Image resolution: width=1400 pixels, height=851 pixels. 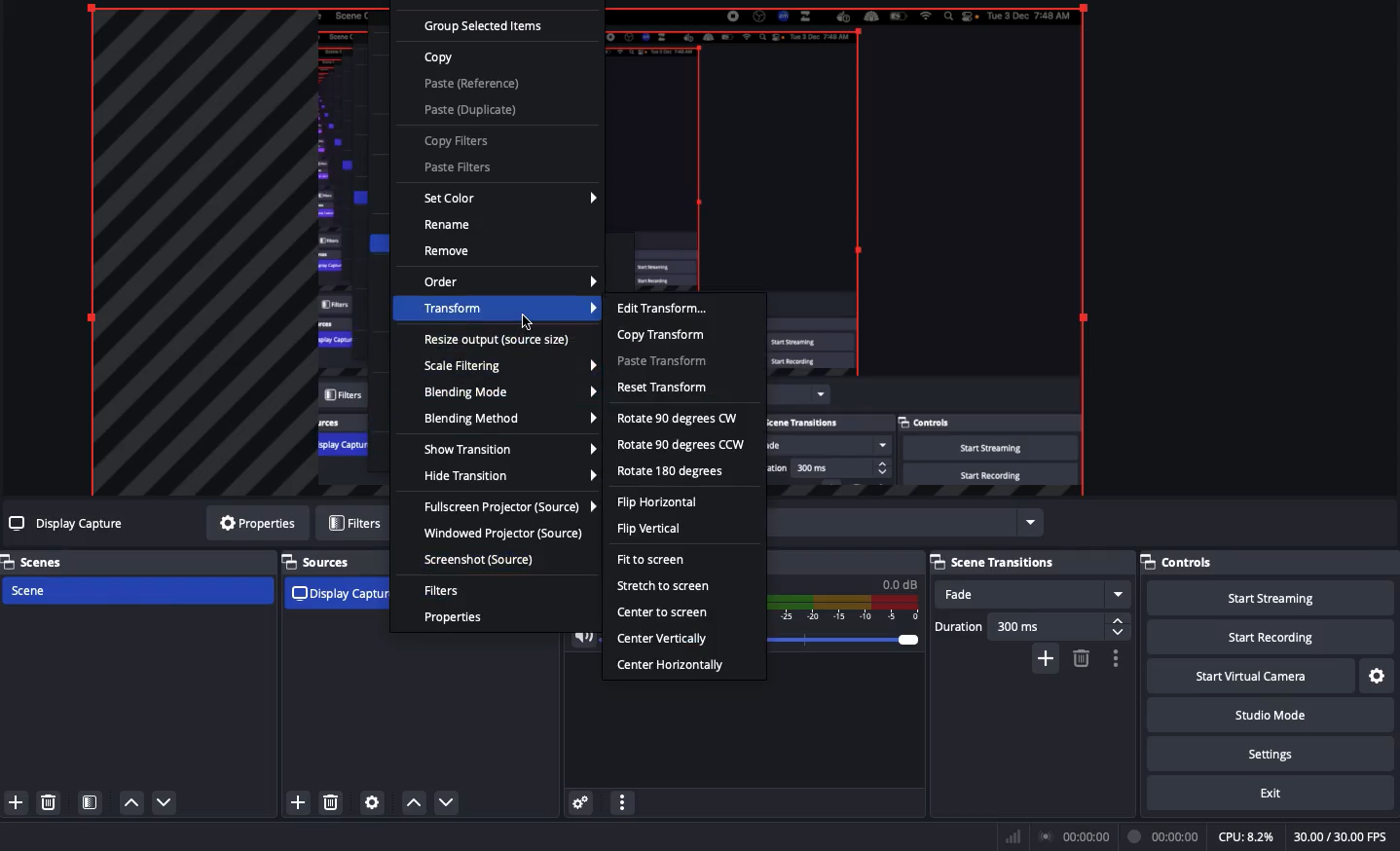 What do you see at coordinates (511, 451) in the screenshot?
I see `Show transition` at bounding box center [511, 451].